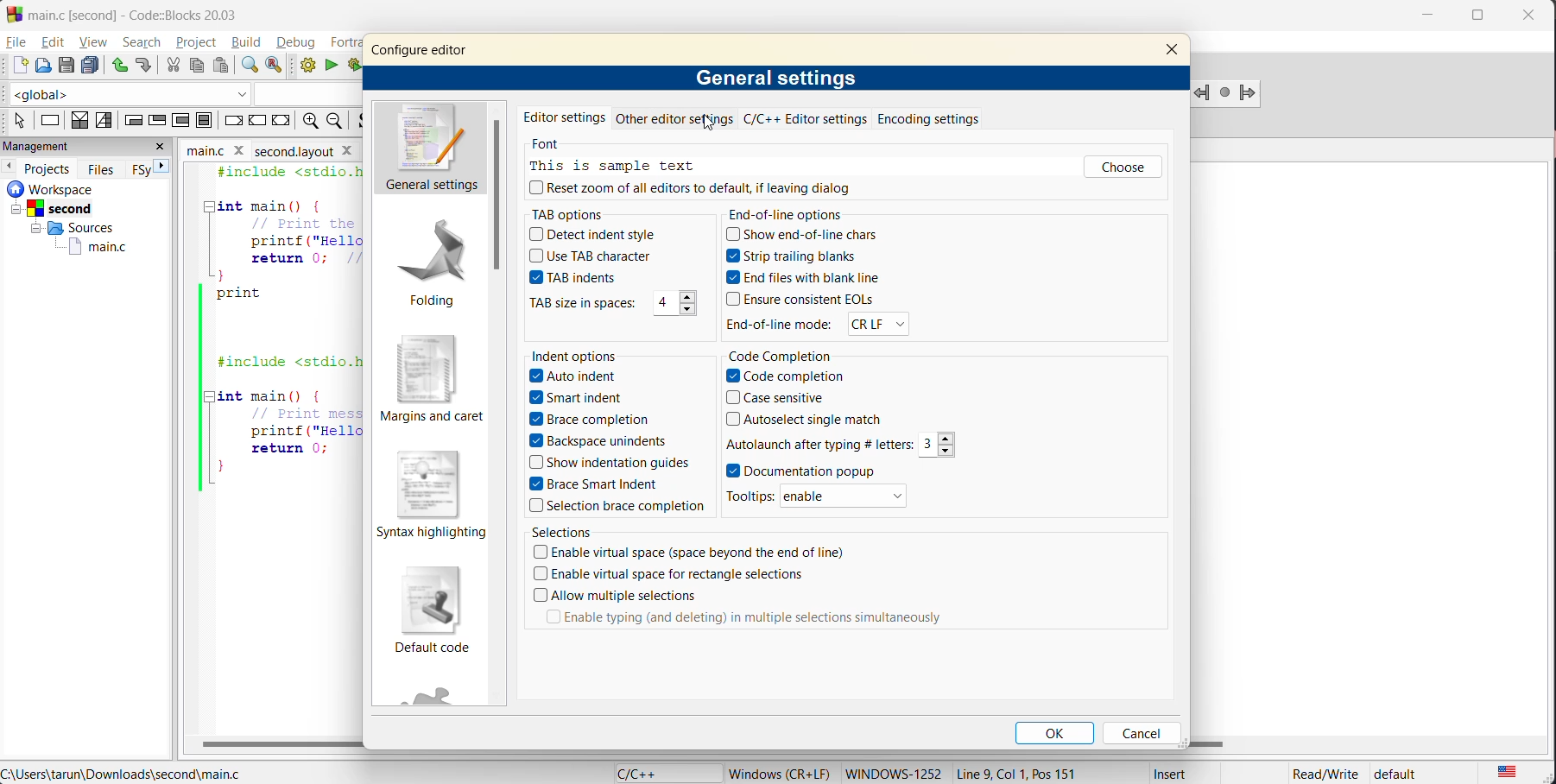  Describe the element at coordinates (1170, 773) in the screenshot. I see `Insert` at that location.